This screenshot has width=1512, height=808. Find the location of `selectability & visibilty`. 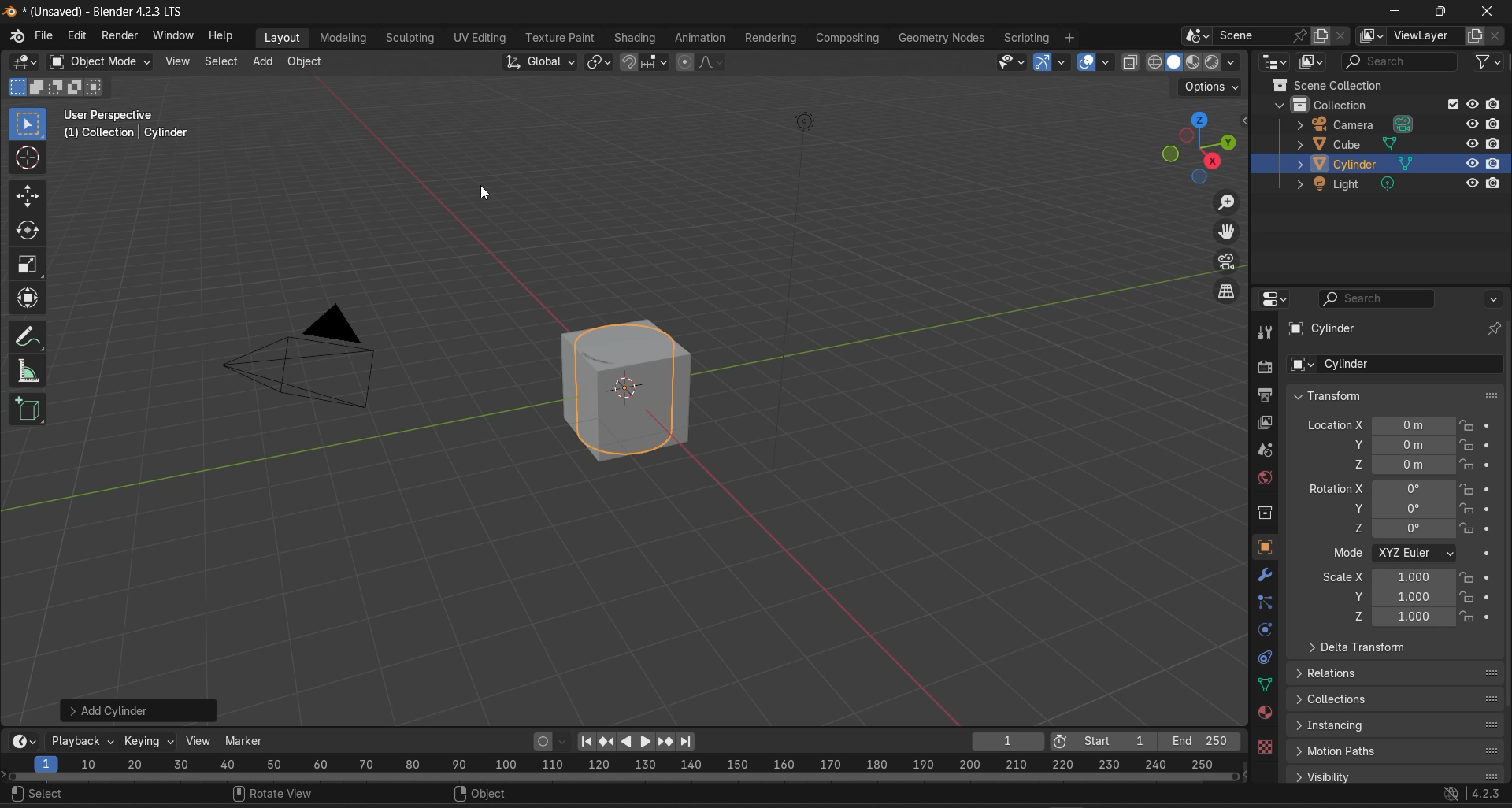

selectability & visibilty is located at coordinates (1012, 62).